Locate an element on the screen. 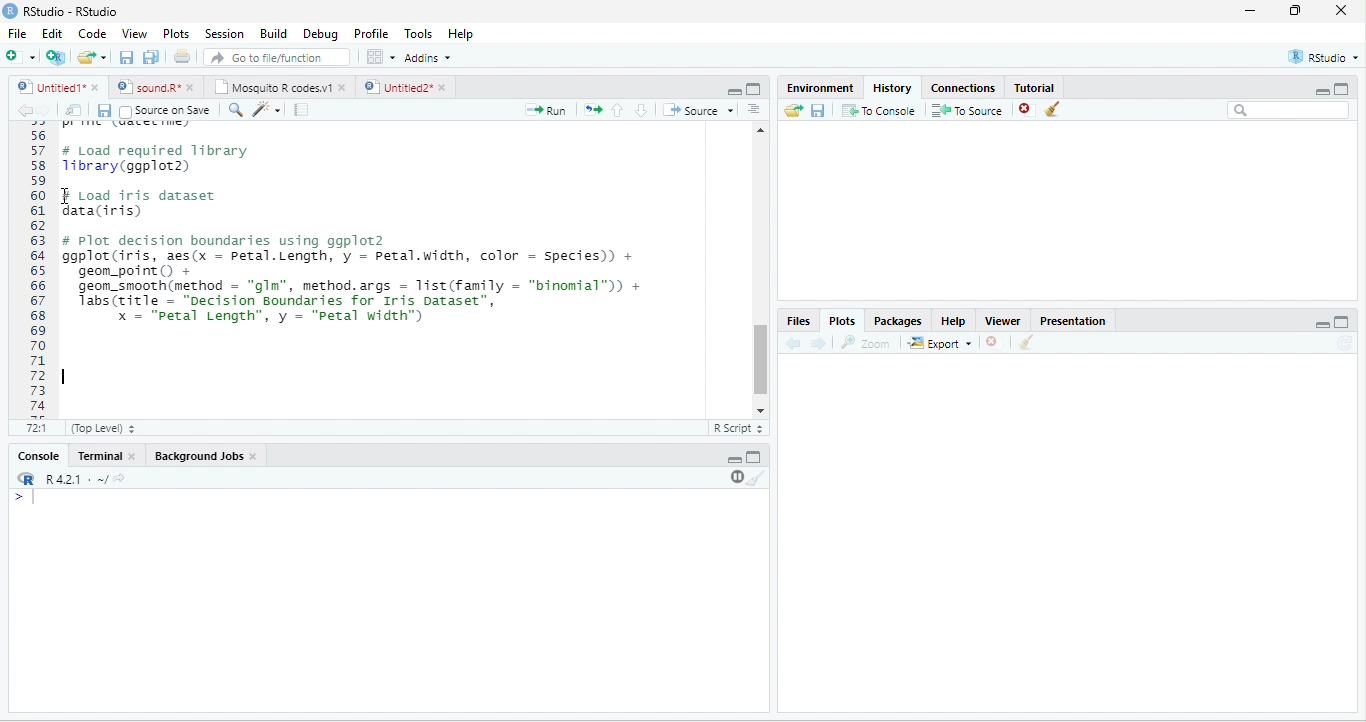  search file is located at coordinates (278, 57).